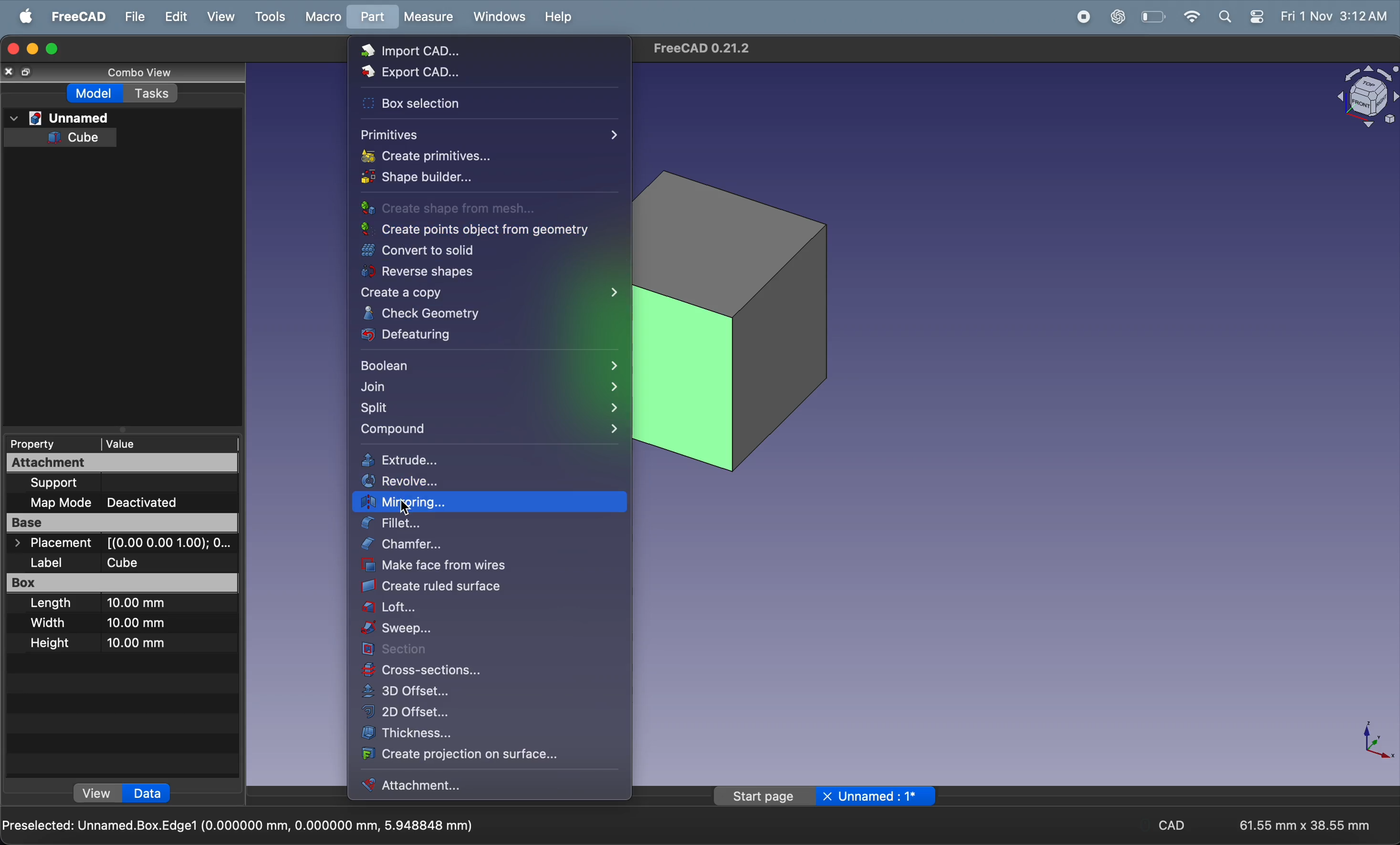  I want to click on export cad, so click(480, 74).